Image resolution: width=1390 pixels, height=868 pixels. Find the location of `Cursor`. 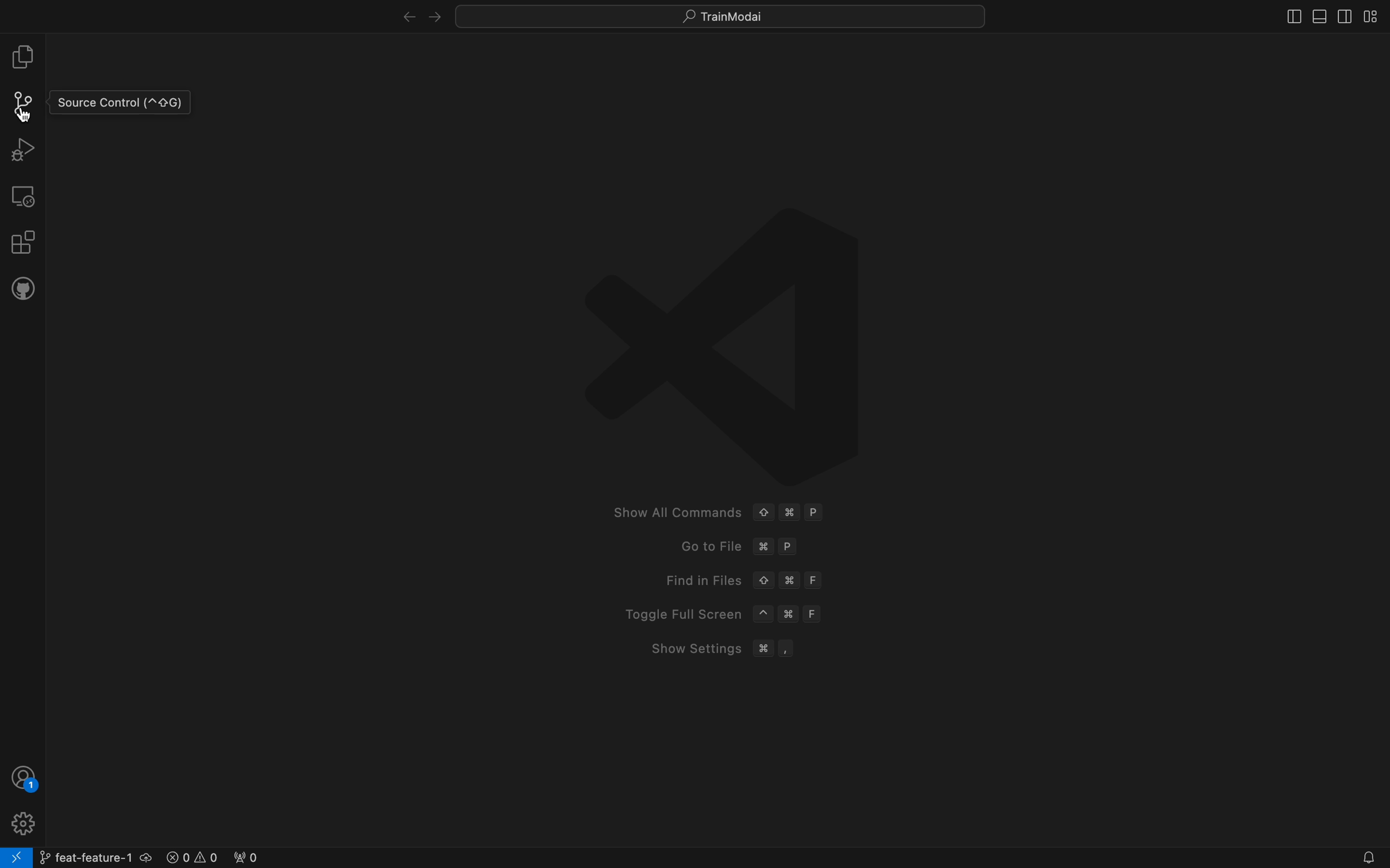

Cursor is located at coordinates (25, 115).